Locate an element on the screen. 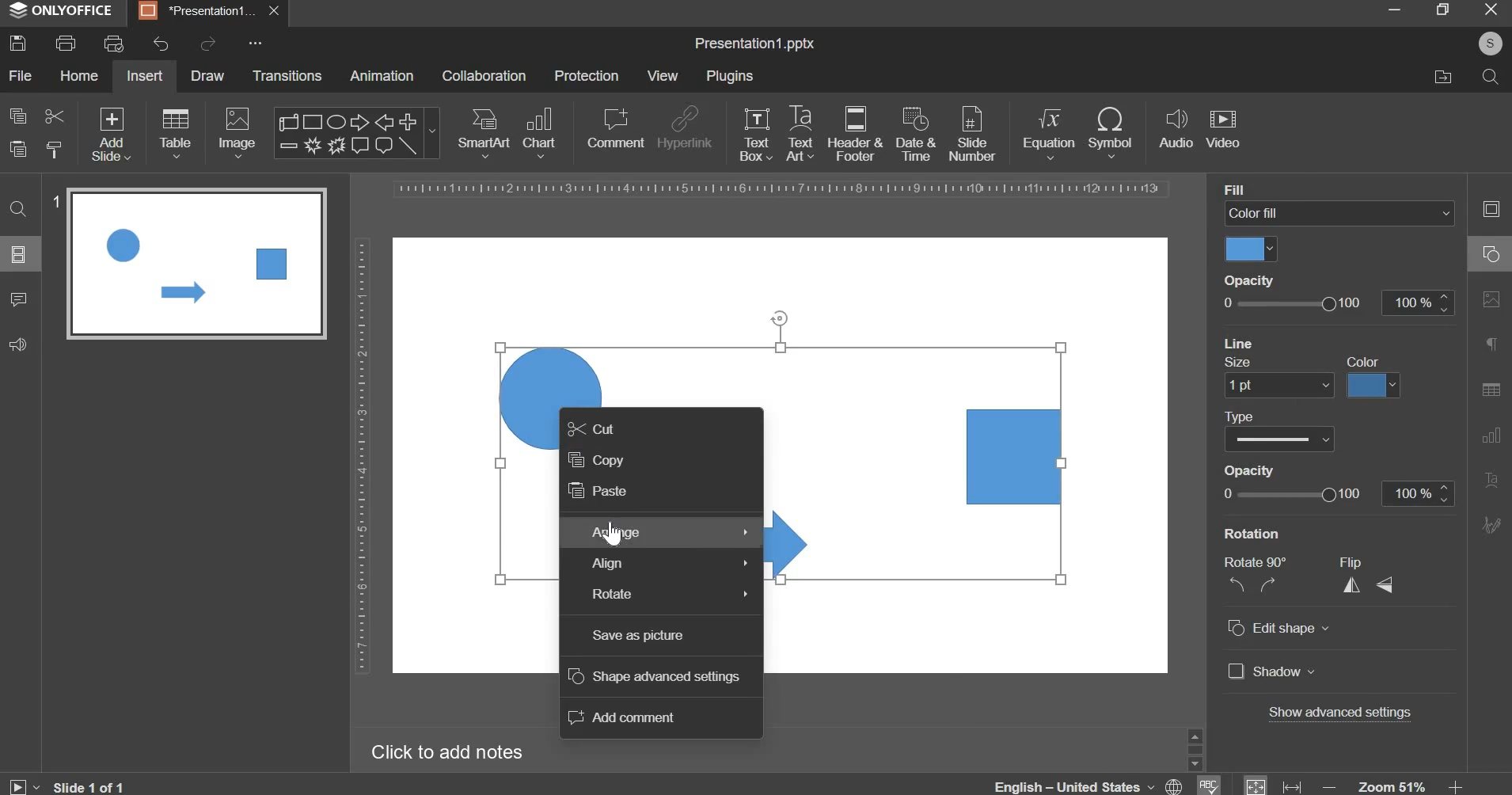  equation is located at coordinates (1048, 131).